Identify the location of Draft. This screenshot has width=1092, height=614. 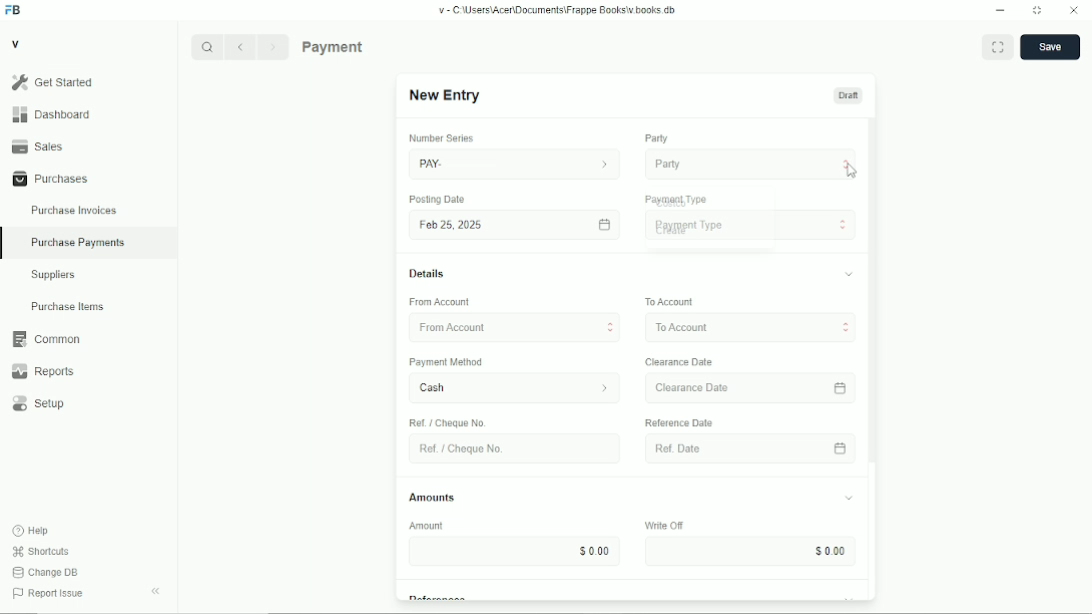
(848, 95).